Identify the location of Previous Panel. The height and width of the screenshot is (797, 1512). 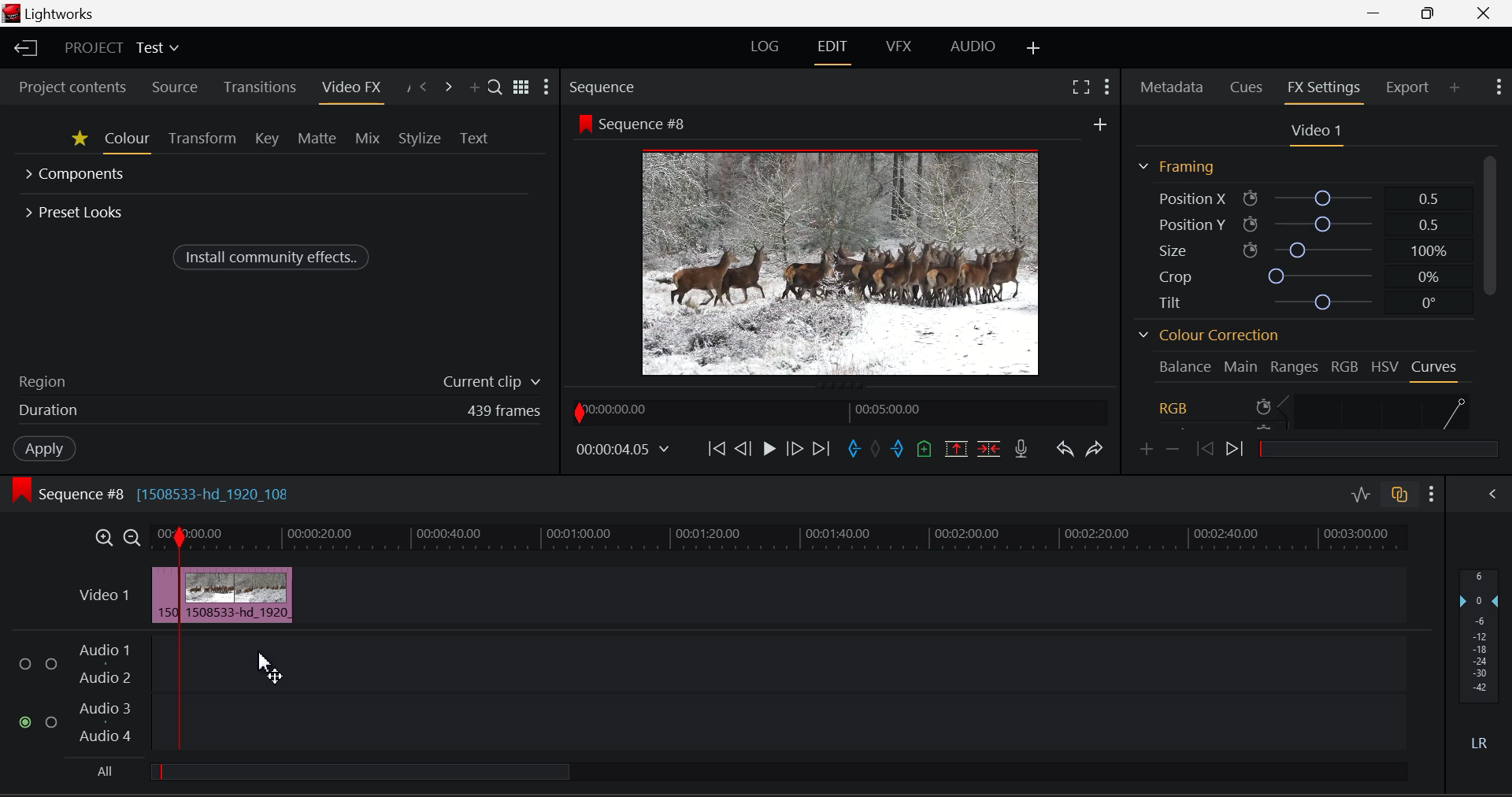
(424, 86).